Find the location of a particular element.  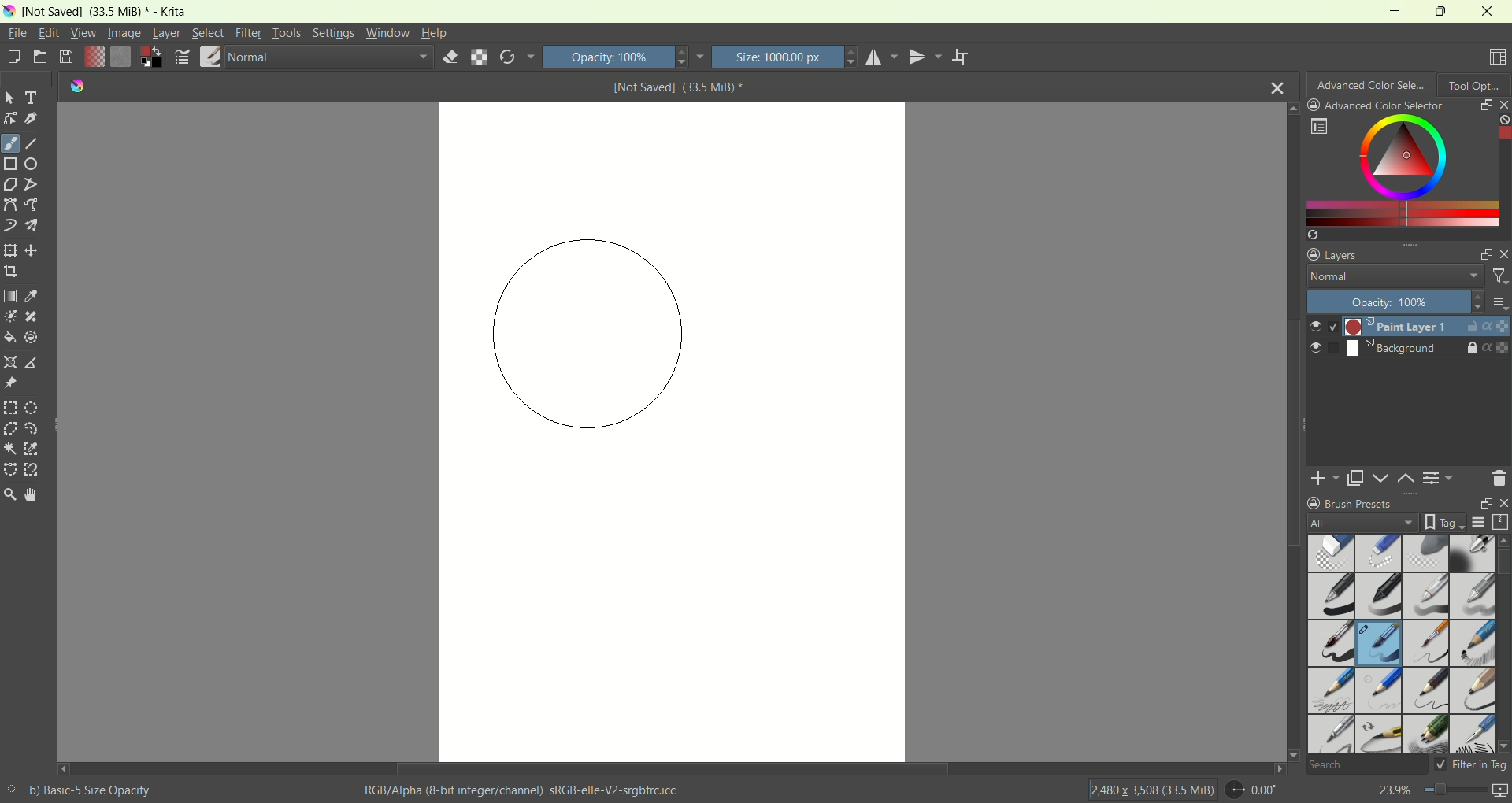

rectangle is located at coordinates (11, 165).